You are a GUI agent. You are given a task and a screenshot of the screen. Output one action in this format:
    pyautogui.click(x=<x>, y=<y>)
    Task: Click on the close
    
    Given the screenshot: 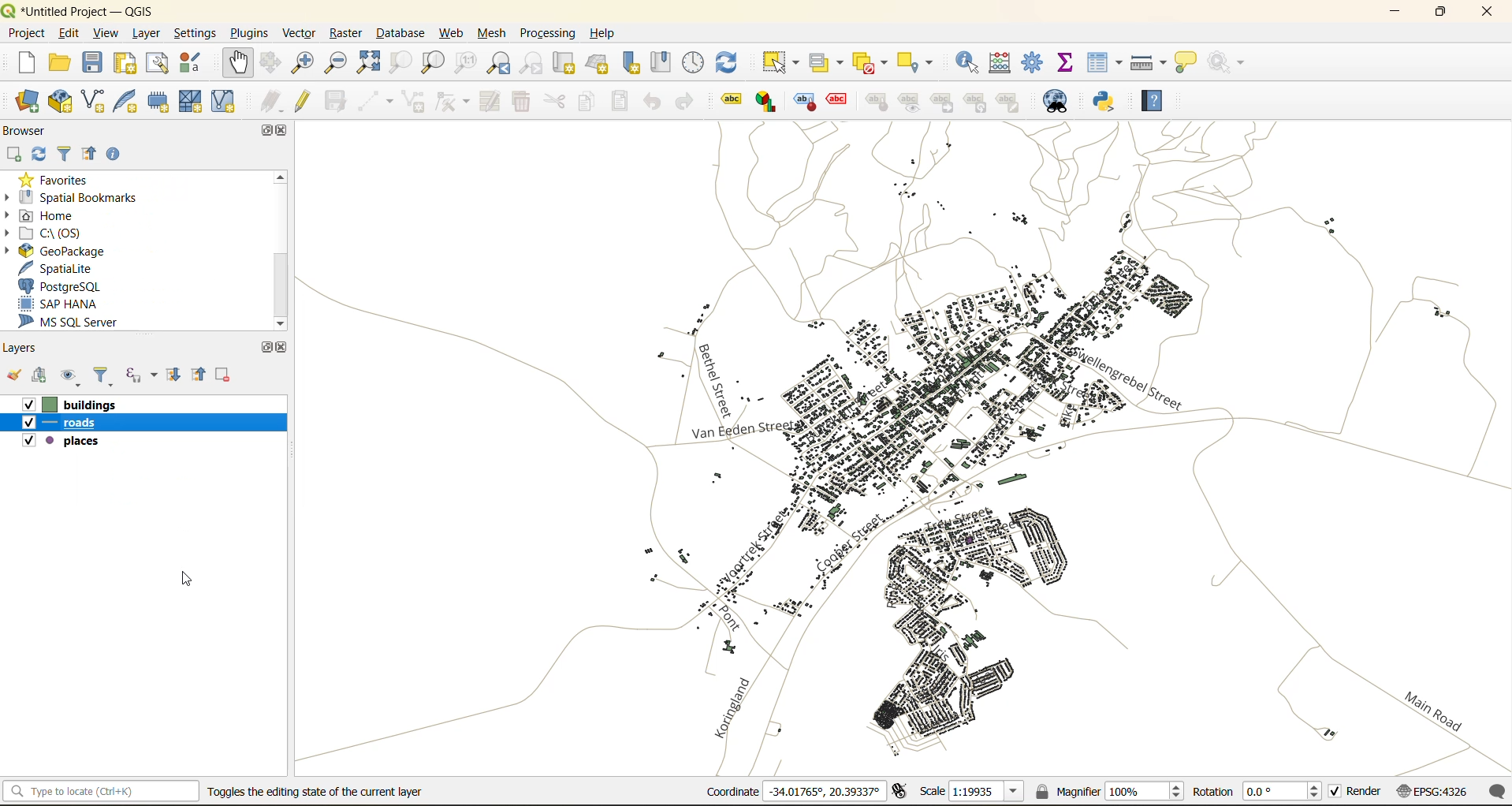 What is the action you would take?
    pyautogui.click(x=282, y=131)
    